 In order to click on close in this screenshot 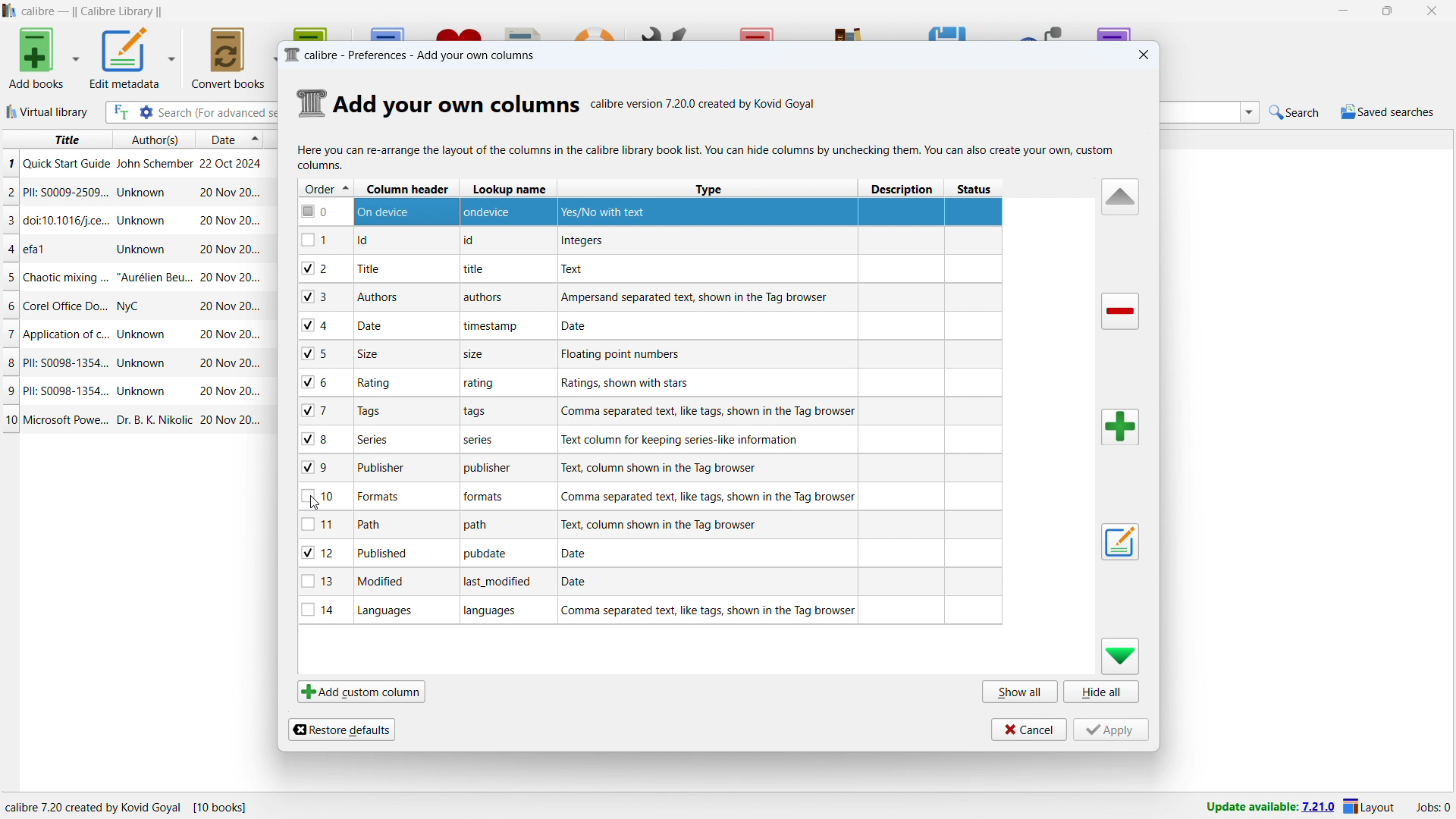, I will do `click(1144, 55)`.